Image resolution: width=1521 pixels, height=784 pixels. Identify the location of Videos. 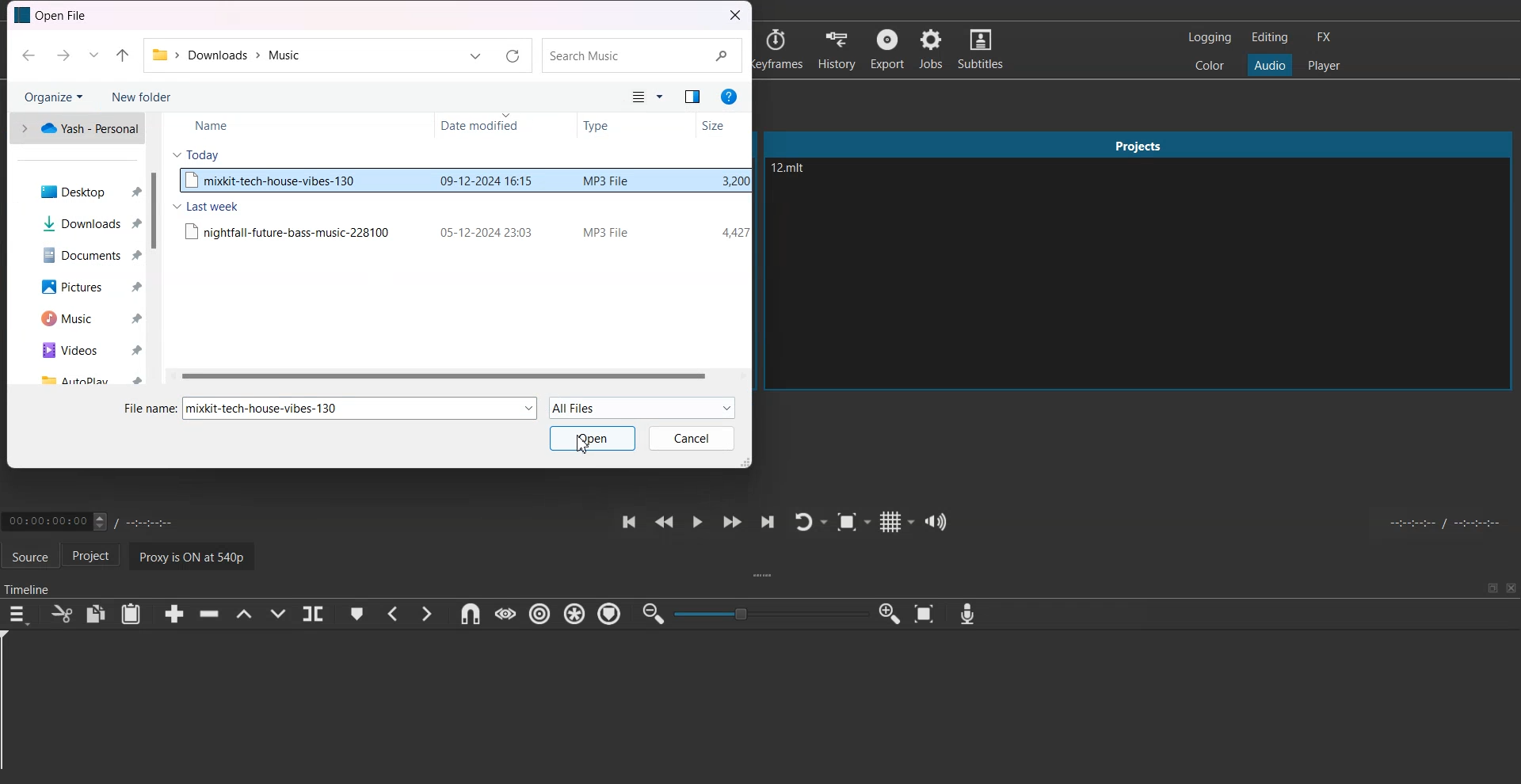
(85, 349).